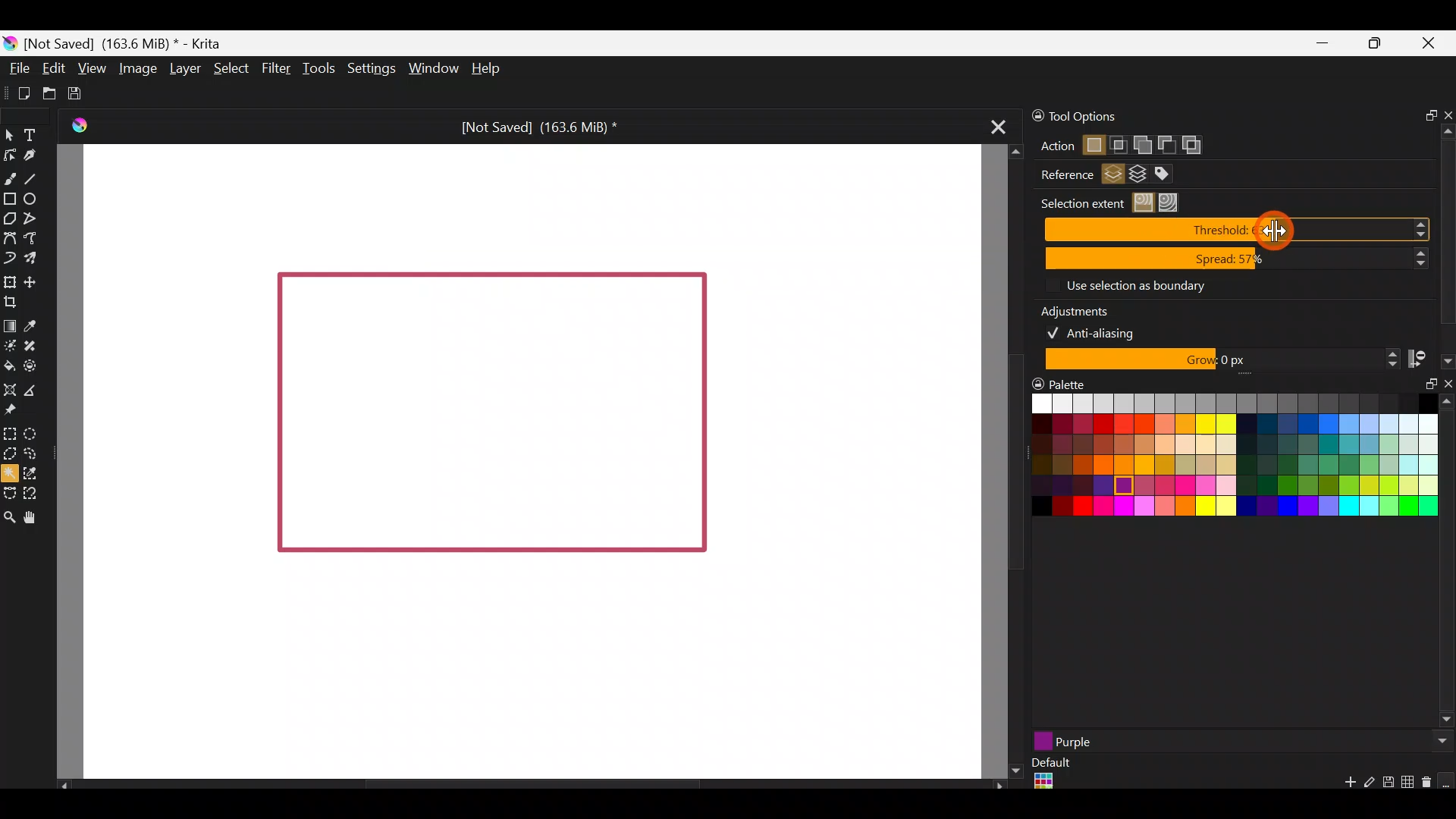  What do you see at coordinates (33, 433) in the screenshot?
I see `Elliptical selection tool` at bounding box center [33, 433].